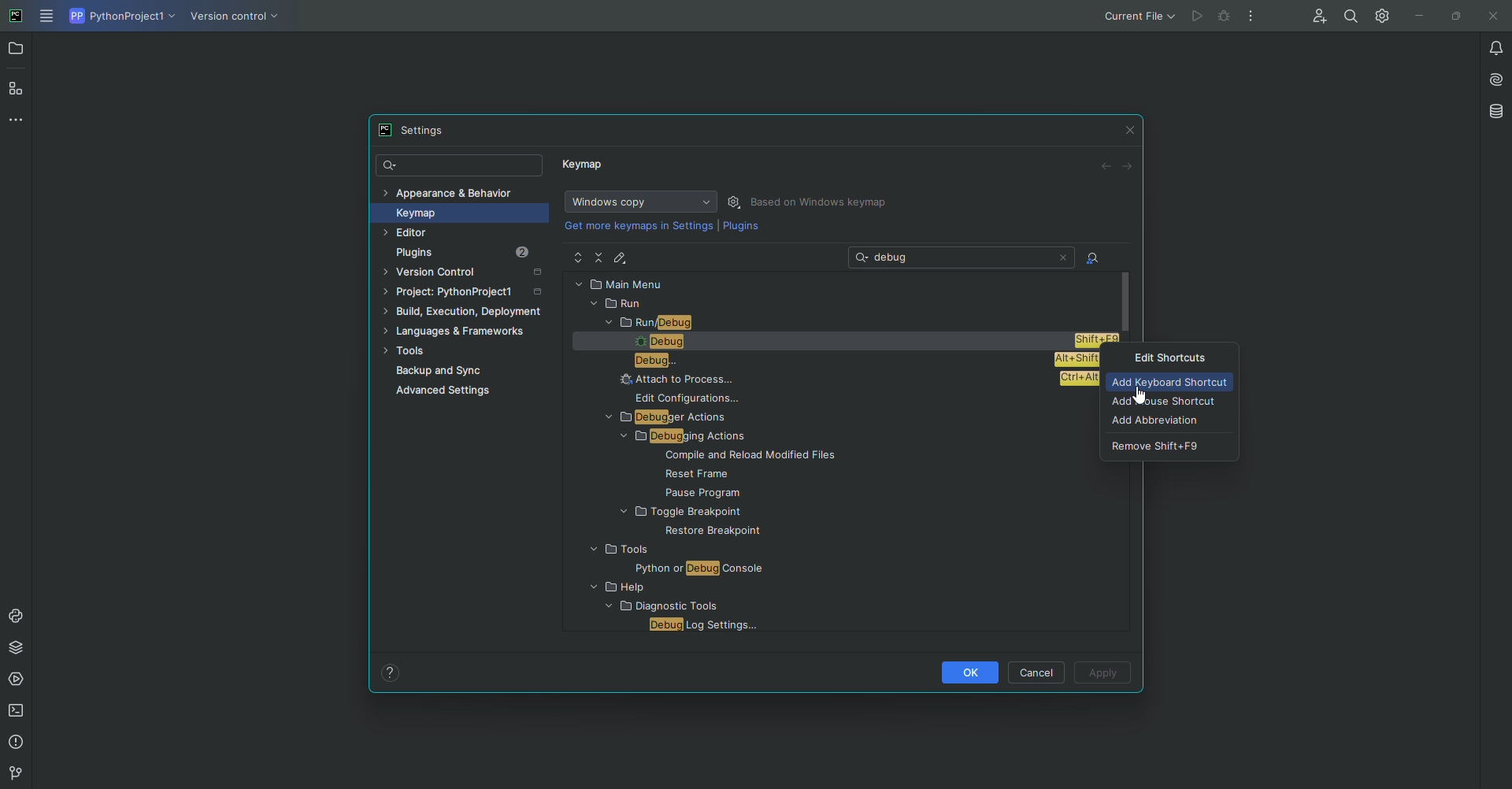 The width and height of the screenshot is (1512, 789). I want to click on Collapse, so click(600, 257).